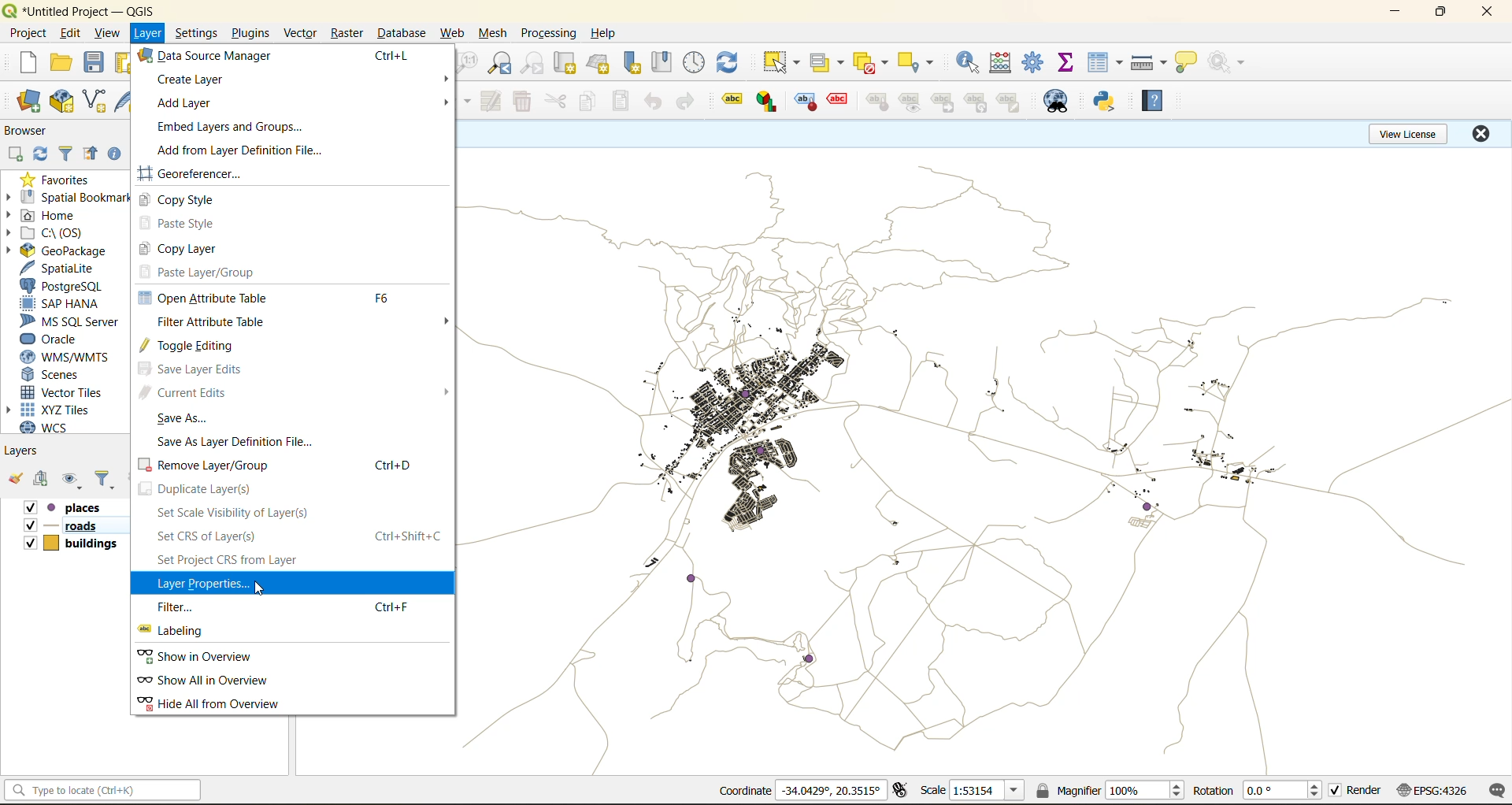 Image resolution: width=1512 pixels, height=805 pixels. Describe the element at coordinates (74, 34) in the screenshot. I see `edit` at that location.